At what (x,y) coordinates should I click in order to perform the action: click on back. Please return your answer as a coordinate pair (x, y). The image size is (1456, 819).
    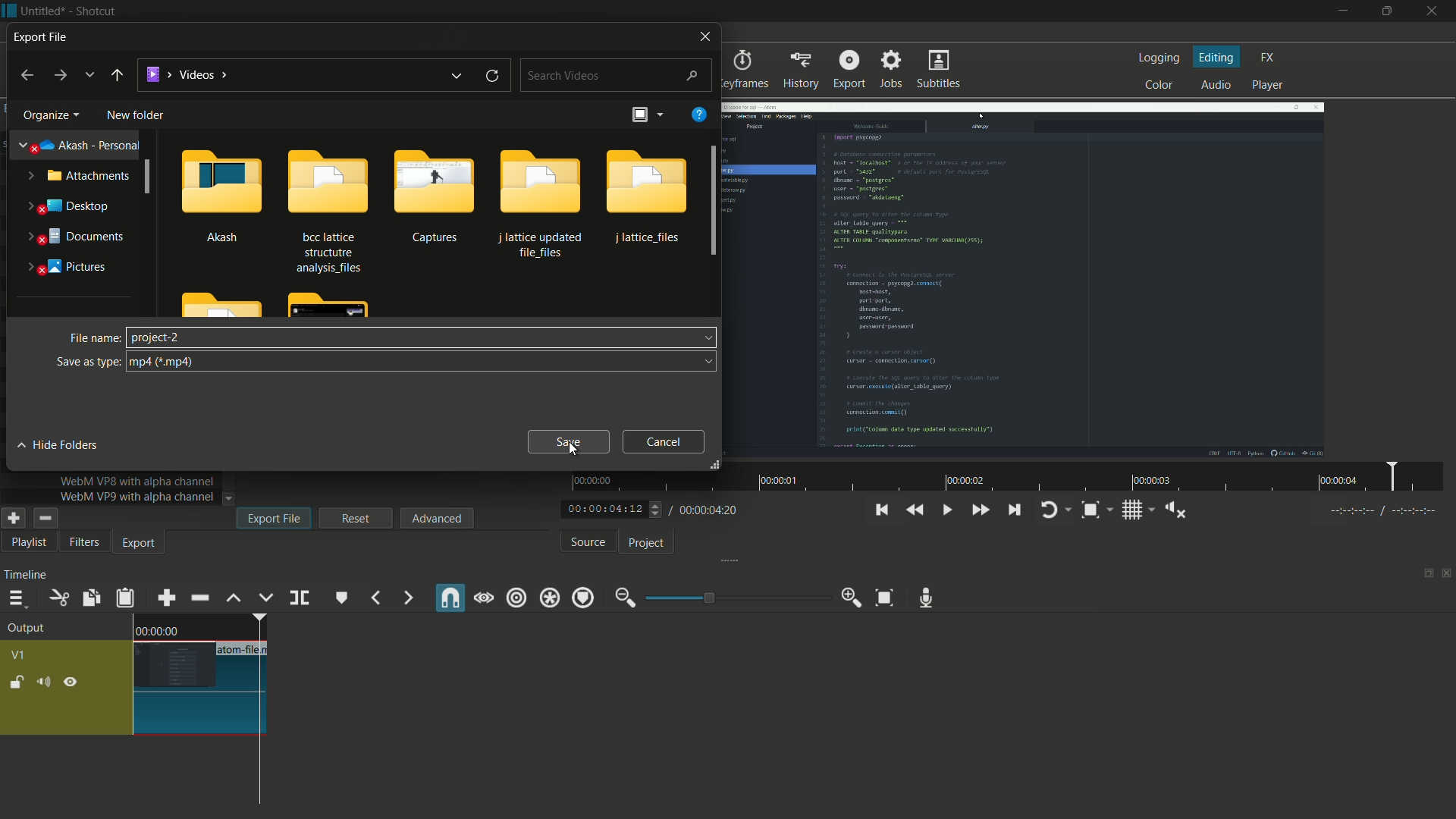
    Looking at the image, I should click on (26, 76).